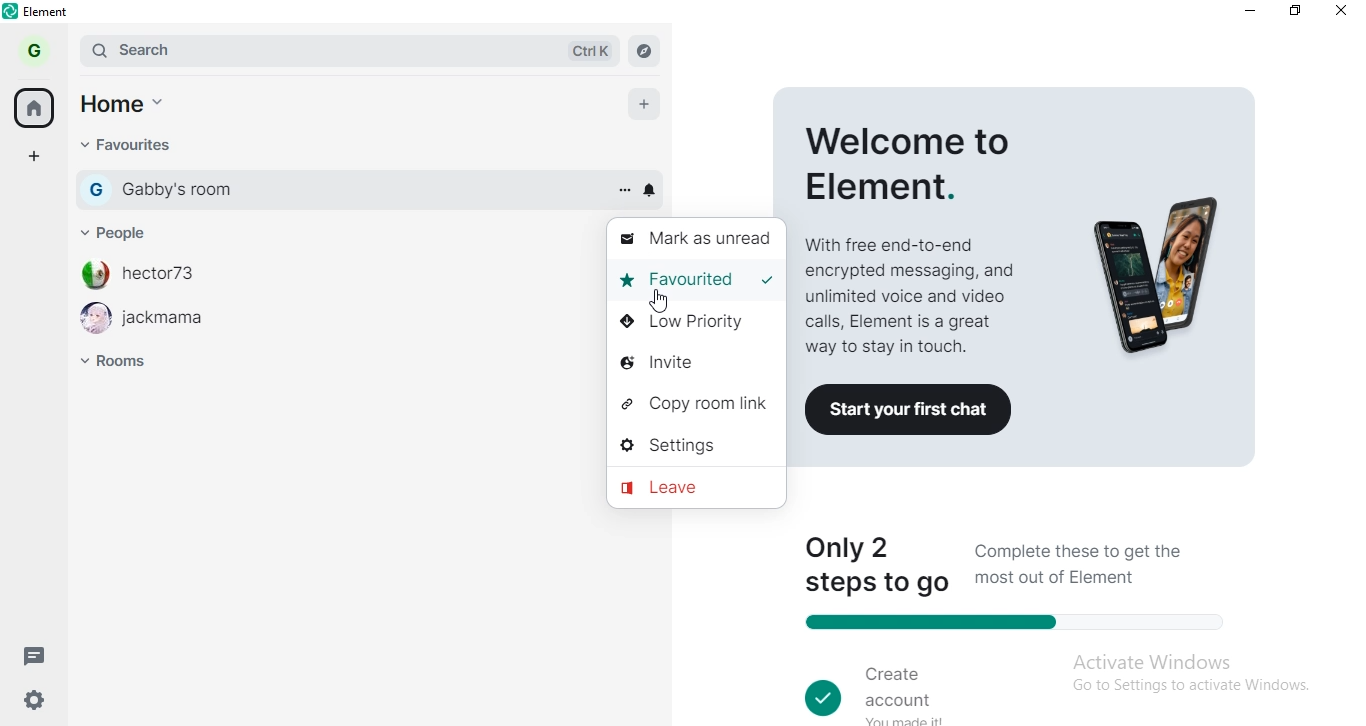 The width and height of the screenshot is (1366, 726). Describe the element at coordinates (915, 410) in the screenshot. I see `Co Start your first chat ` at that location.